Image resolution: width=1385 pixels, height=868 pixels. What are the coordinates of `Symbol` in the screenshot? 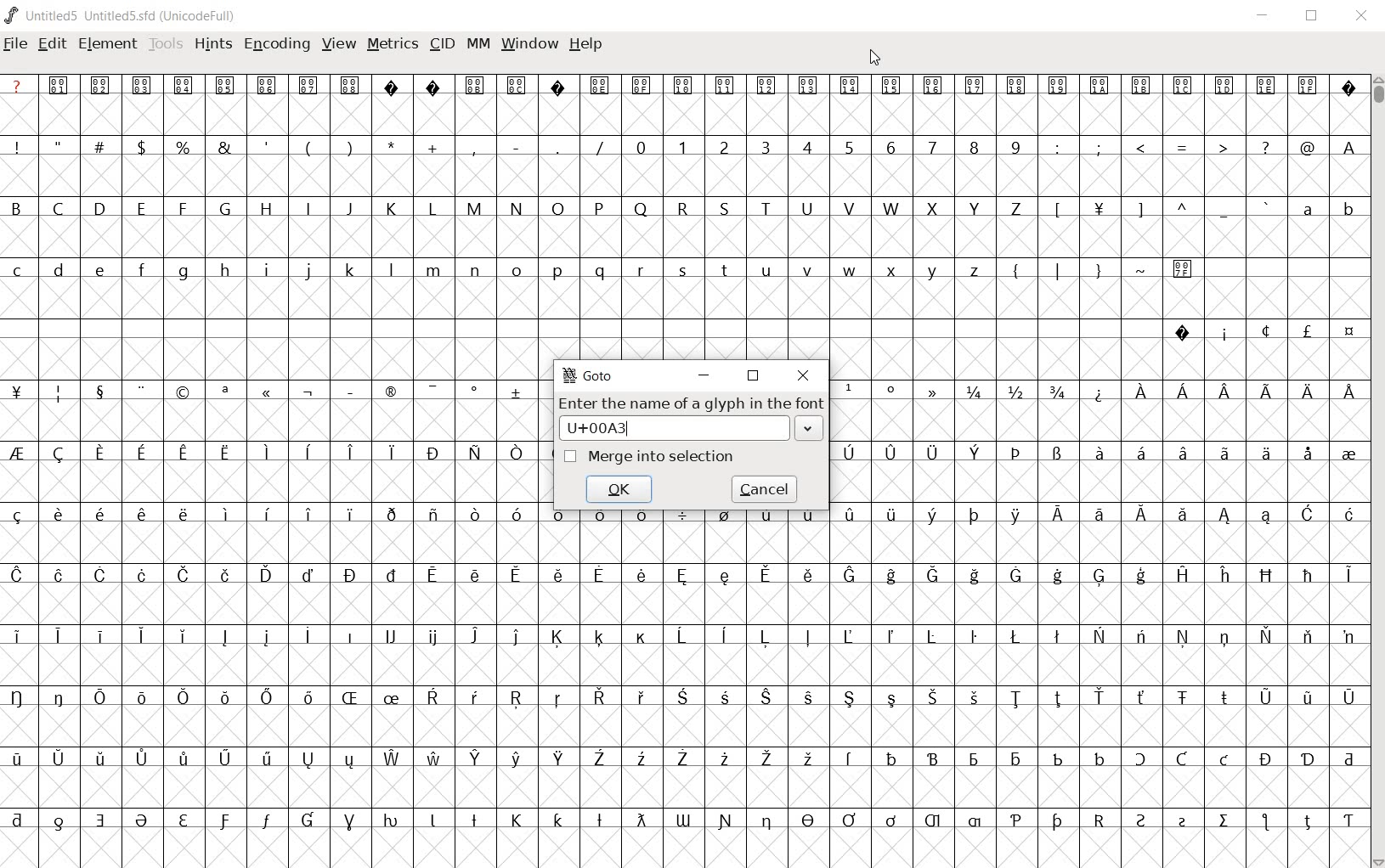 It's located at (1181, 759).